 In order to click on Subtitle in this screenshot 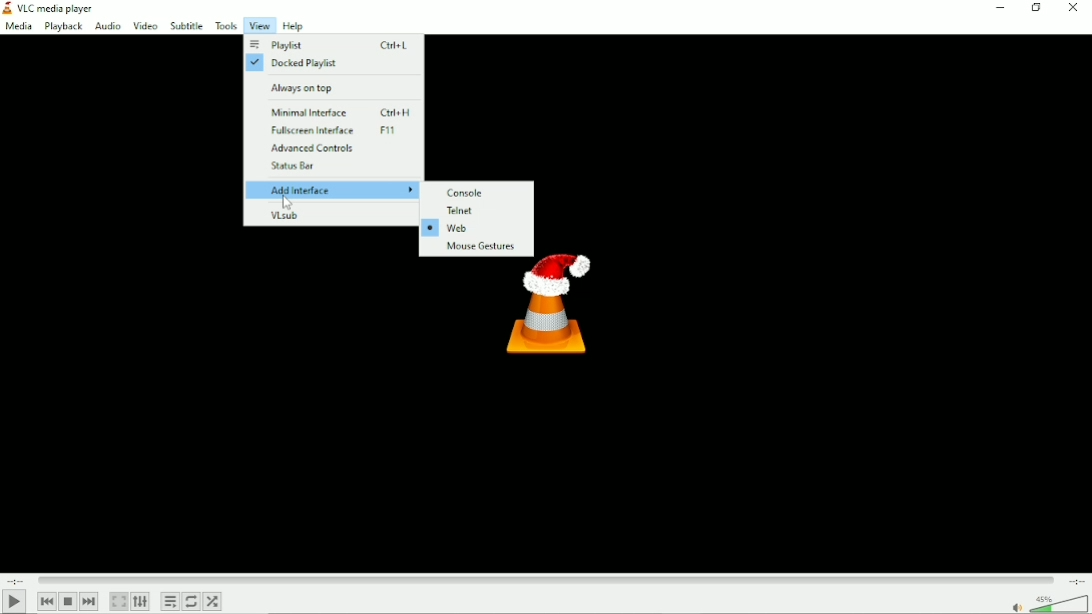, I will do `click(187, 25)`.